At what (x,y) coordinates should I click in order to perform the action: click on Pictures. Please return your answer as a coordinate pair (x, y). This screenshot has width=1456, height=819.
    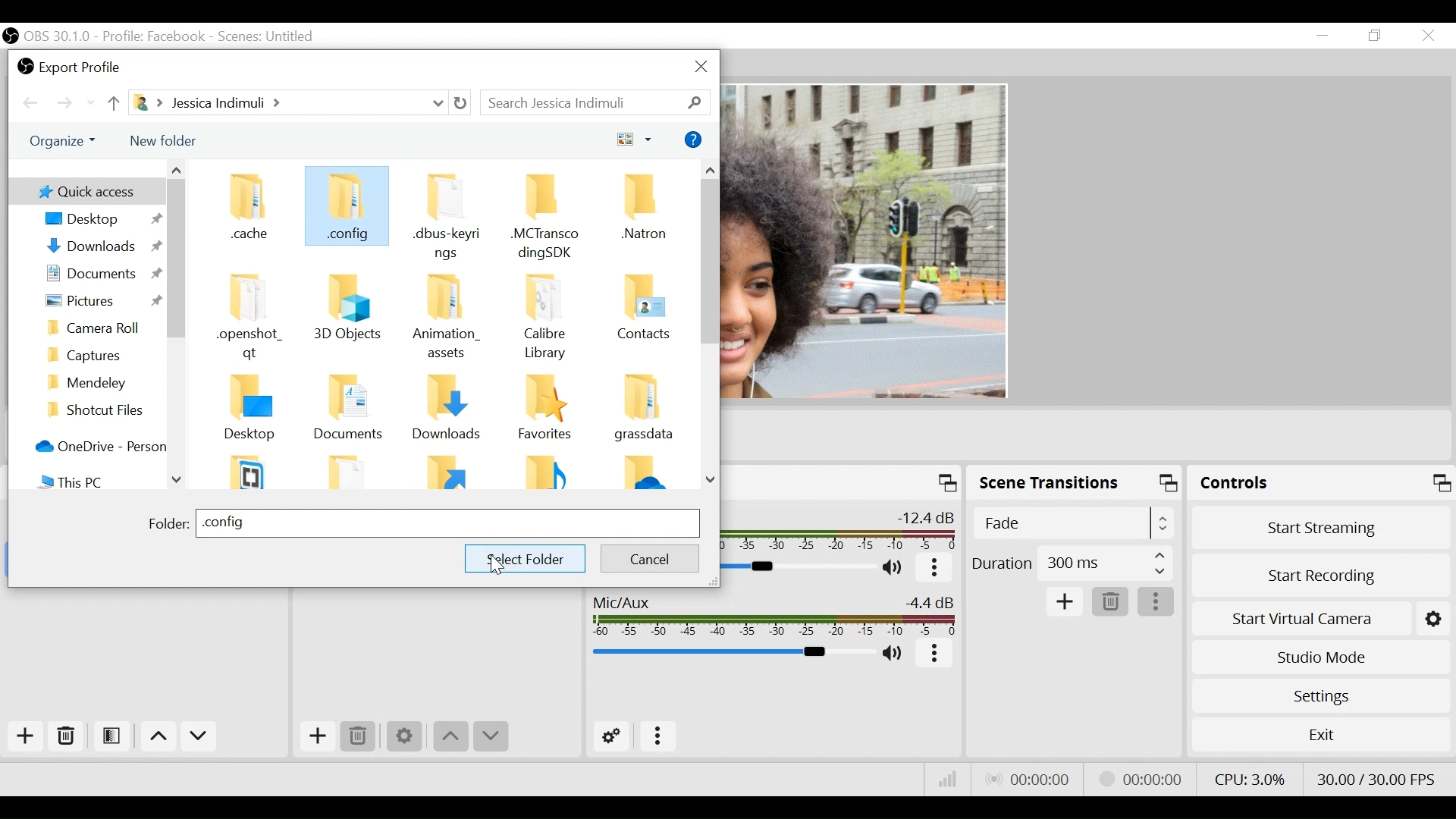
    Looking at the image, I should click on (99, 301).